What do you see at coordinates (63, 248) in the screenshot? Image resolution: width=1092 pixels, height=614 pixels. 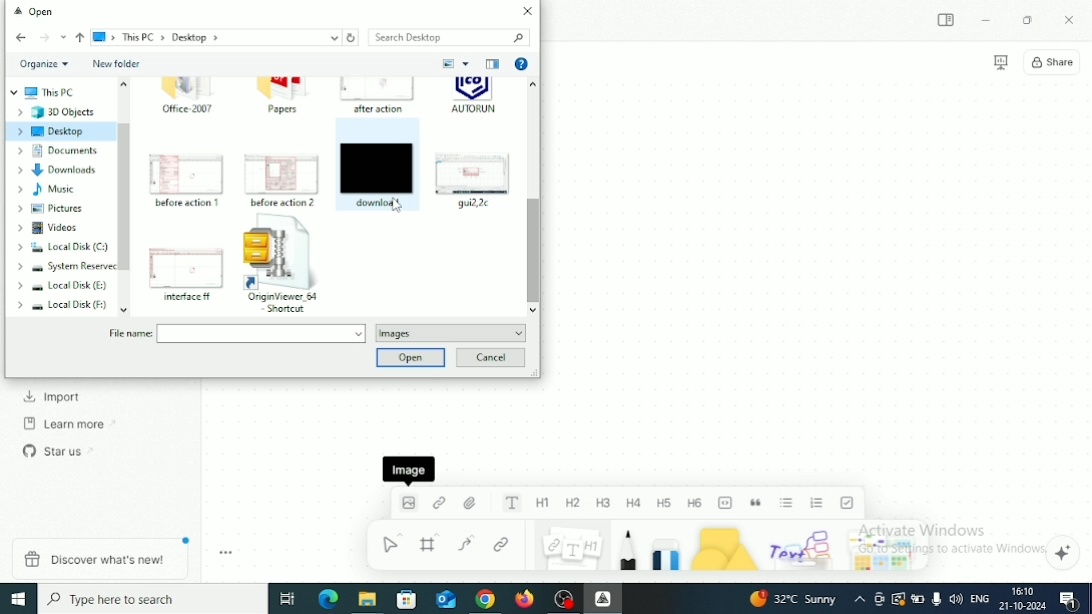 I see `Local Disk` at bounding box center [63, 248].